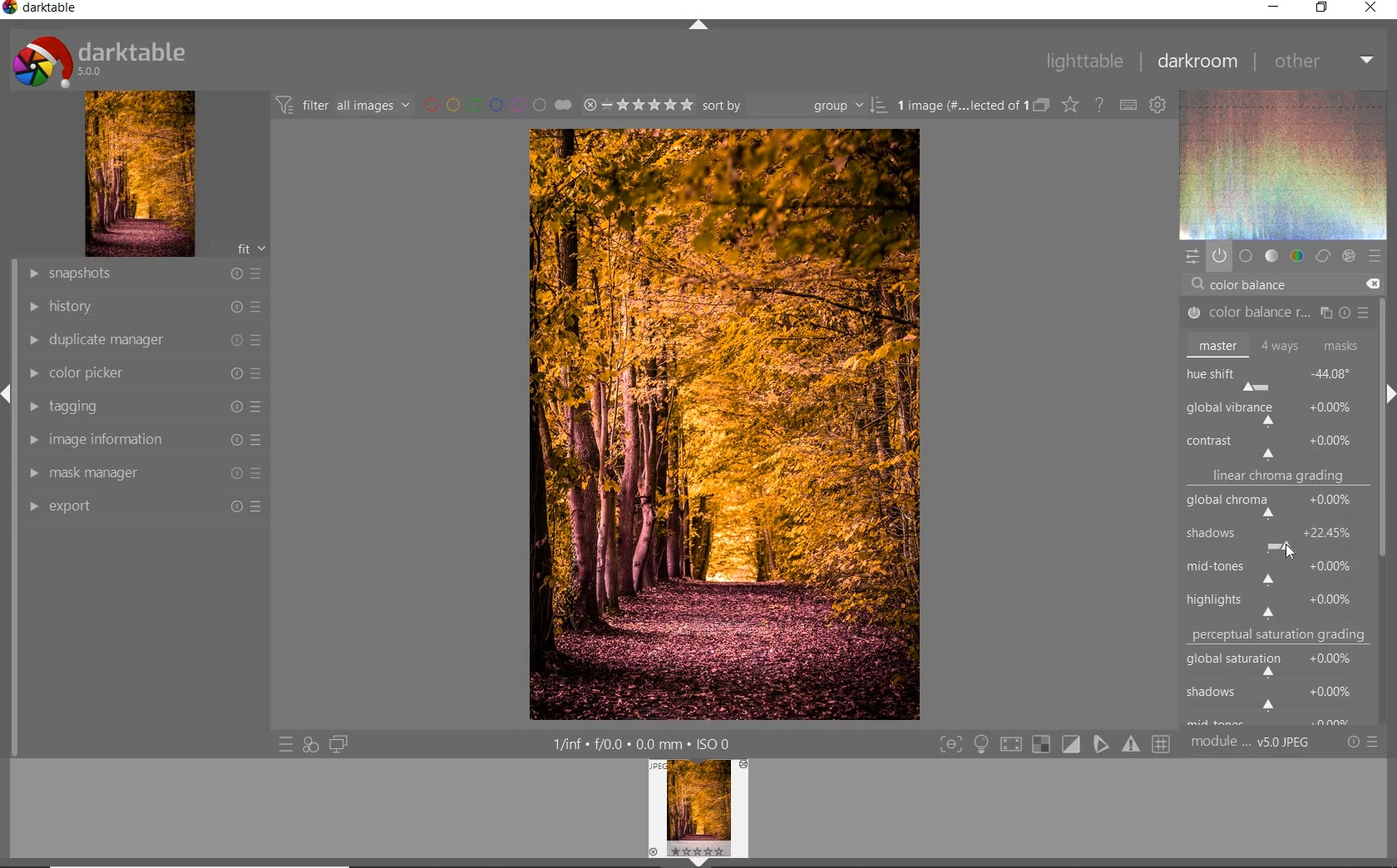 This screenshot has width=1397, height=868. I want to click on module order, so click(1250, 744).